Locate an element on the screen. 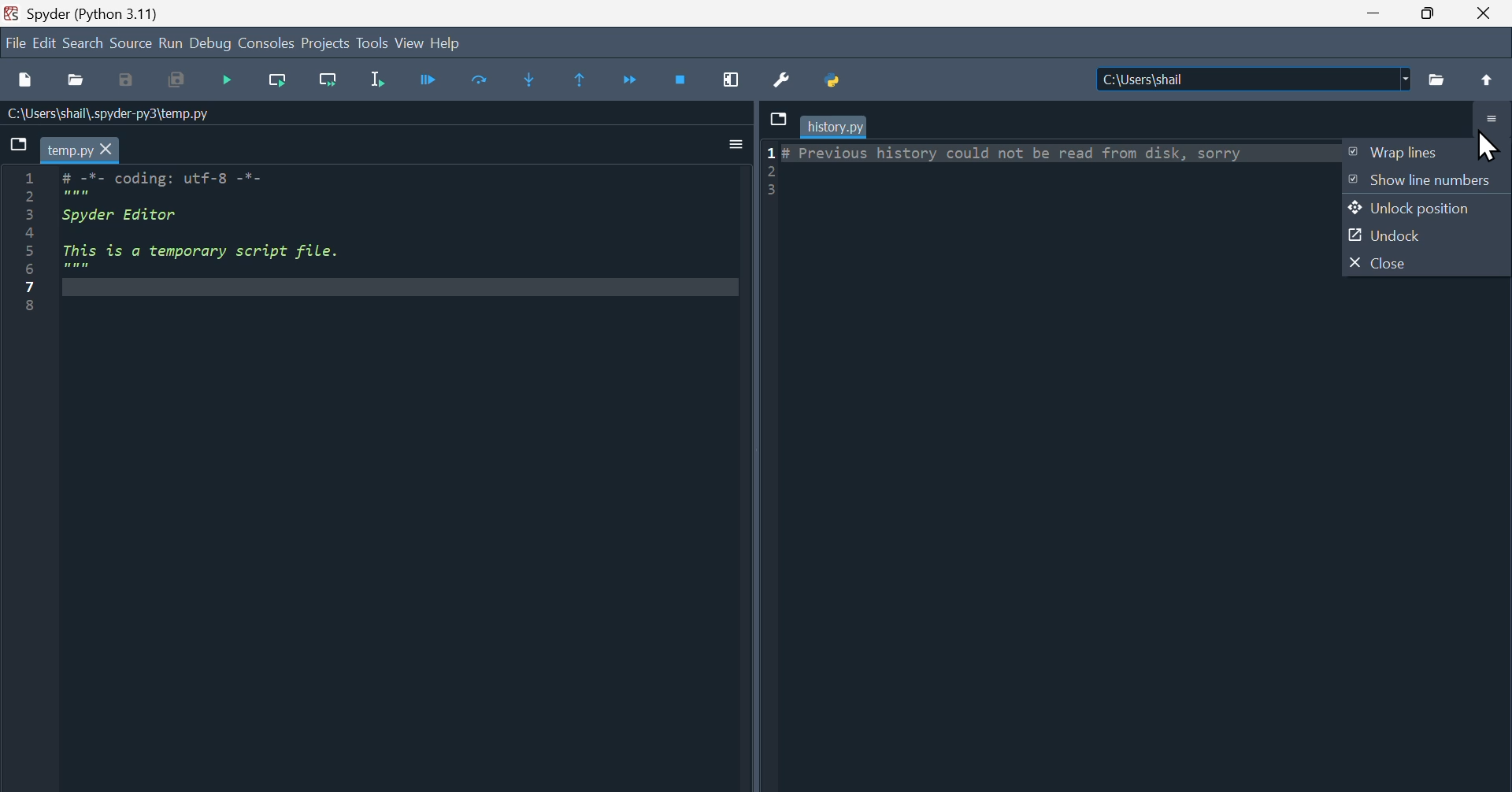  history.py is located at coordinates (835, 127).